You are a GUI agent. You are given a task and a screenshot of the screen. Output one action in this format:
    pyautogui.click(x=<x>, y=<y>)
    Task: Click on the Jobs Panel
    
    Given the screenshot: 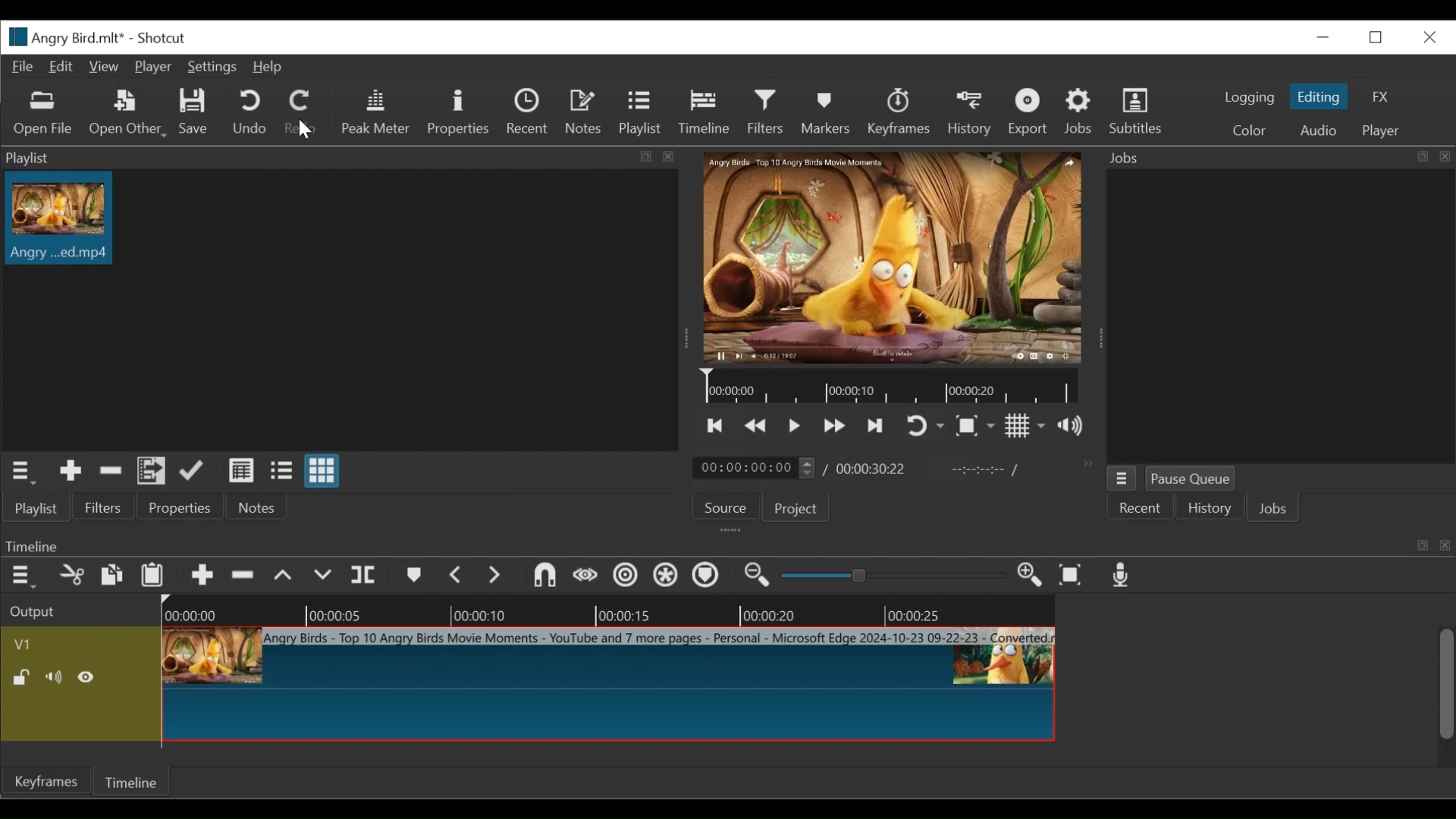 What is the action you would take?
    pyautogui.click(x=1279, y=316)
    